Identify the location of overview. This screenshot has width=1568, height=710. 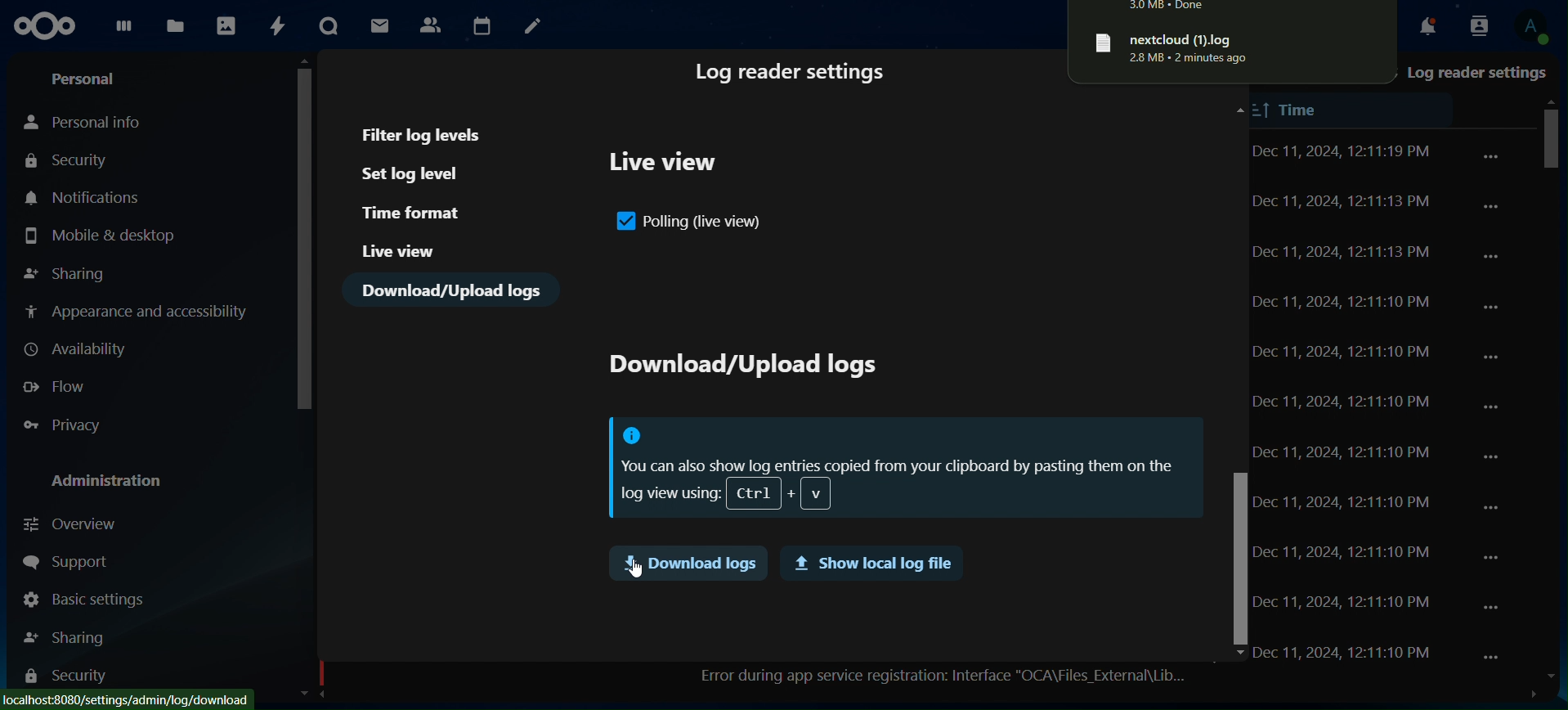
(74, 522).